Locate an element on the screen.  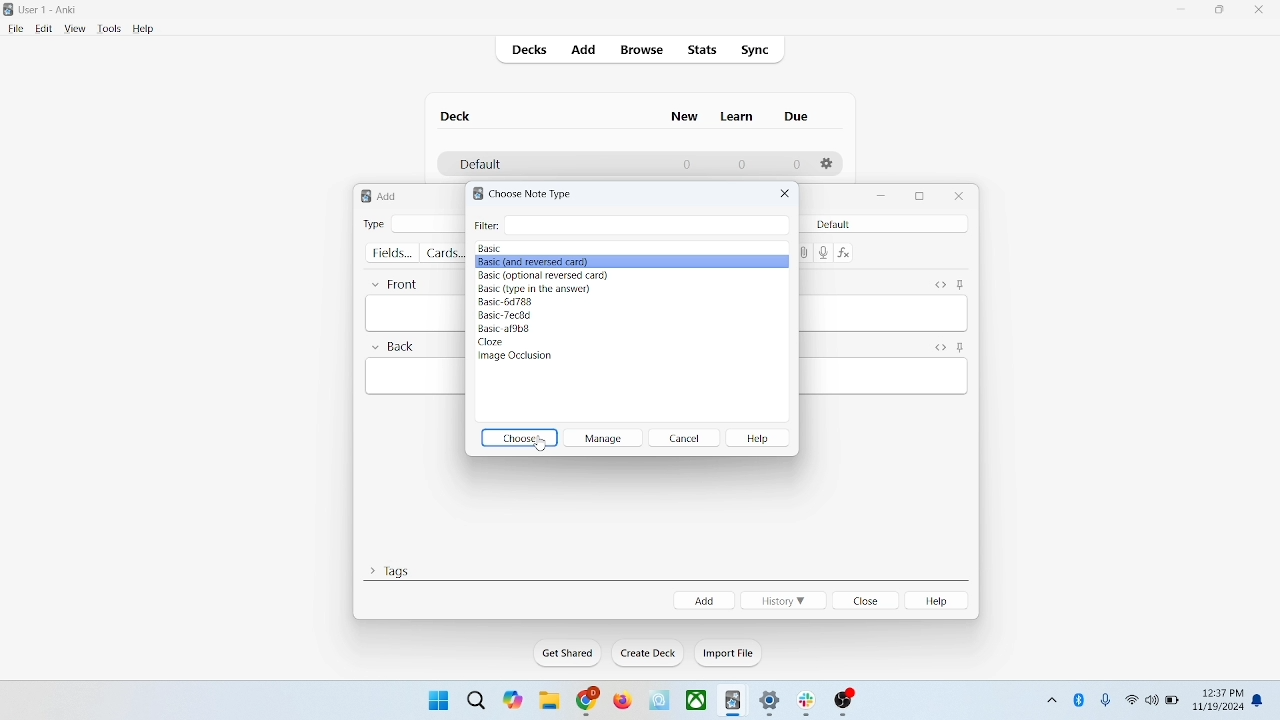
0 is located at coordinates (796, 165).